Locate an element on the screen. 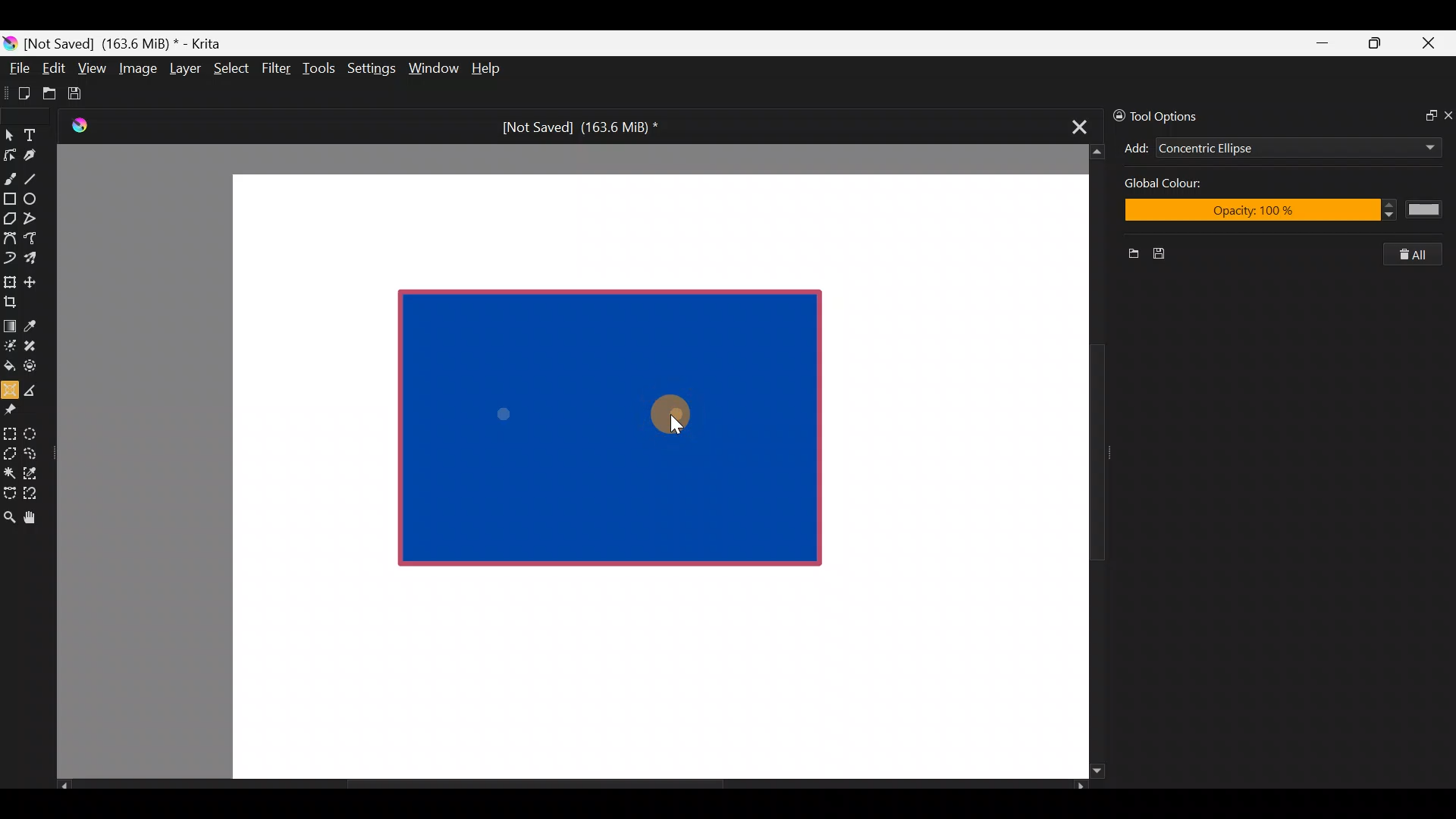  Scroll bar is located at coordinates (572, 786).